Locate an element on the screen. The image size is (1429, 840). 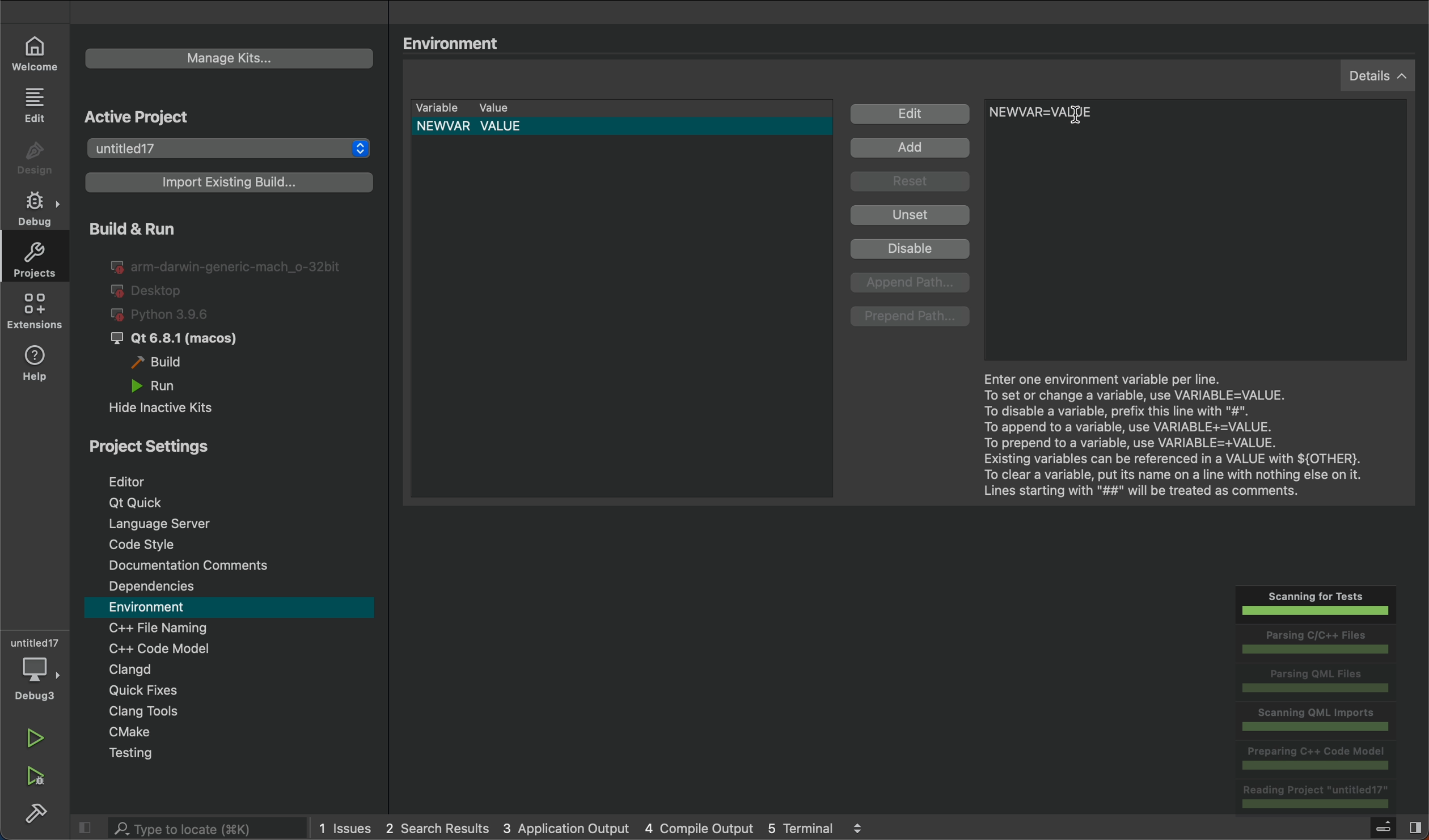
run and debug is located at coordinates (40, 778).